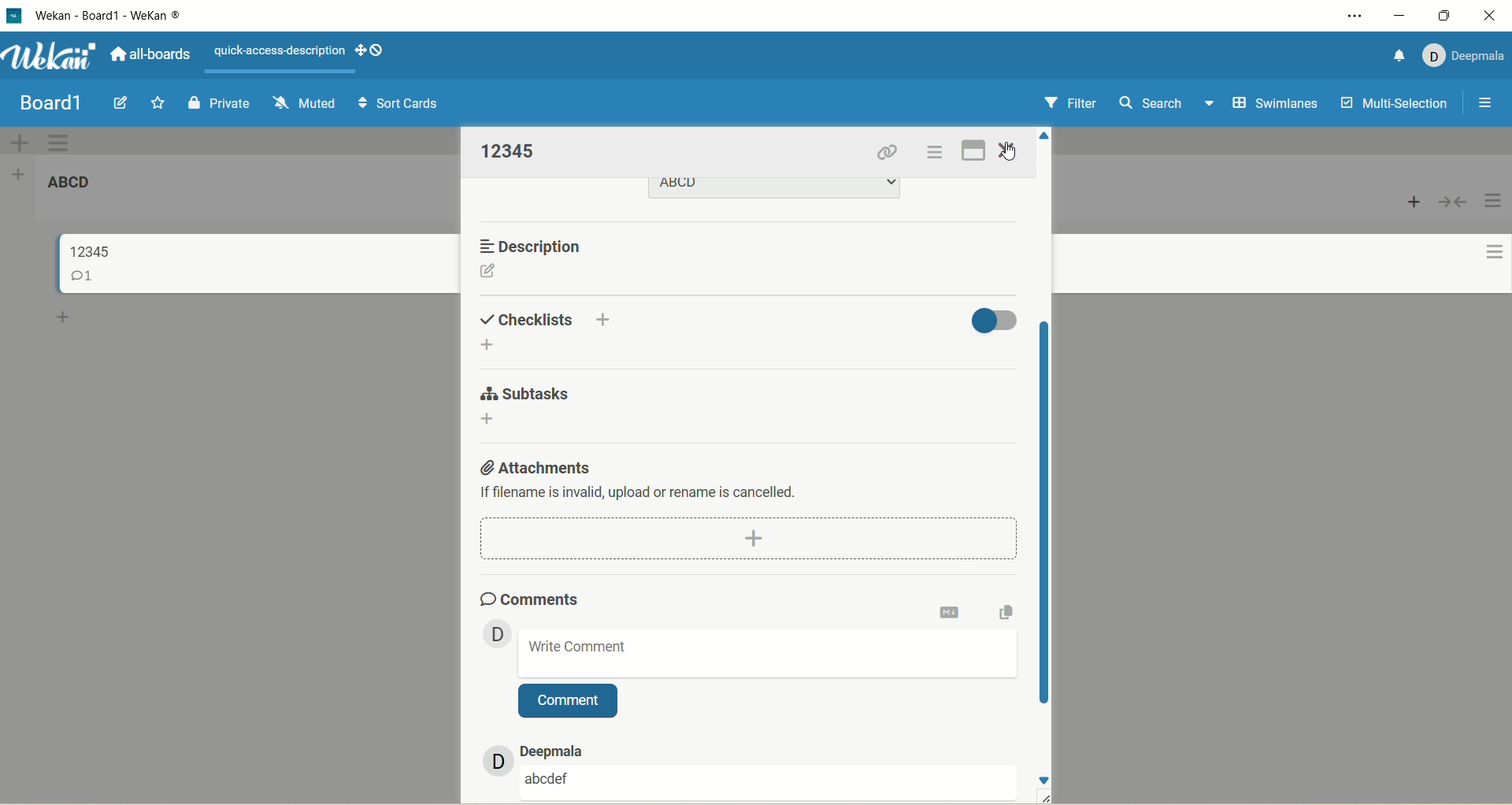  Describe the element at coordinates (1447, 15) in the screenshot. I see `maximize` at that location.